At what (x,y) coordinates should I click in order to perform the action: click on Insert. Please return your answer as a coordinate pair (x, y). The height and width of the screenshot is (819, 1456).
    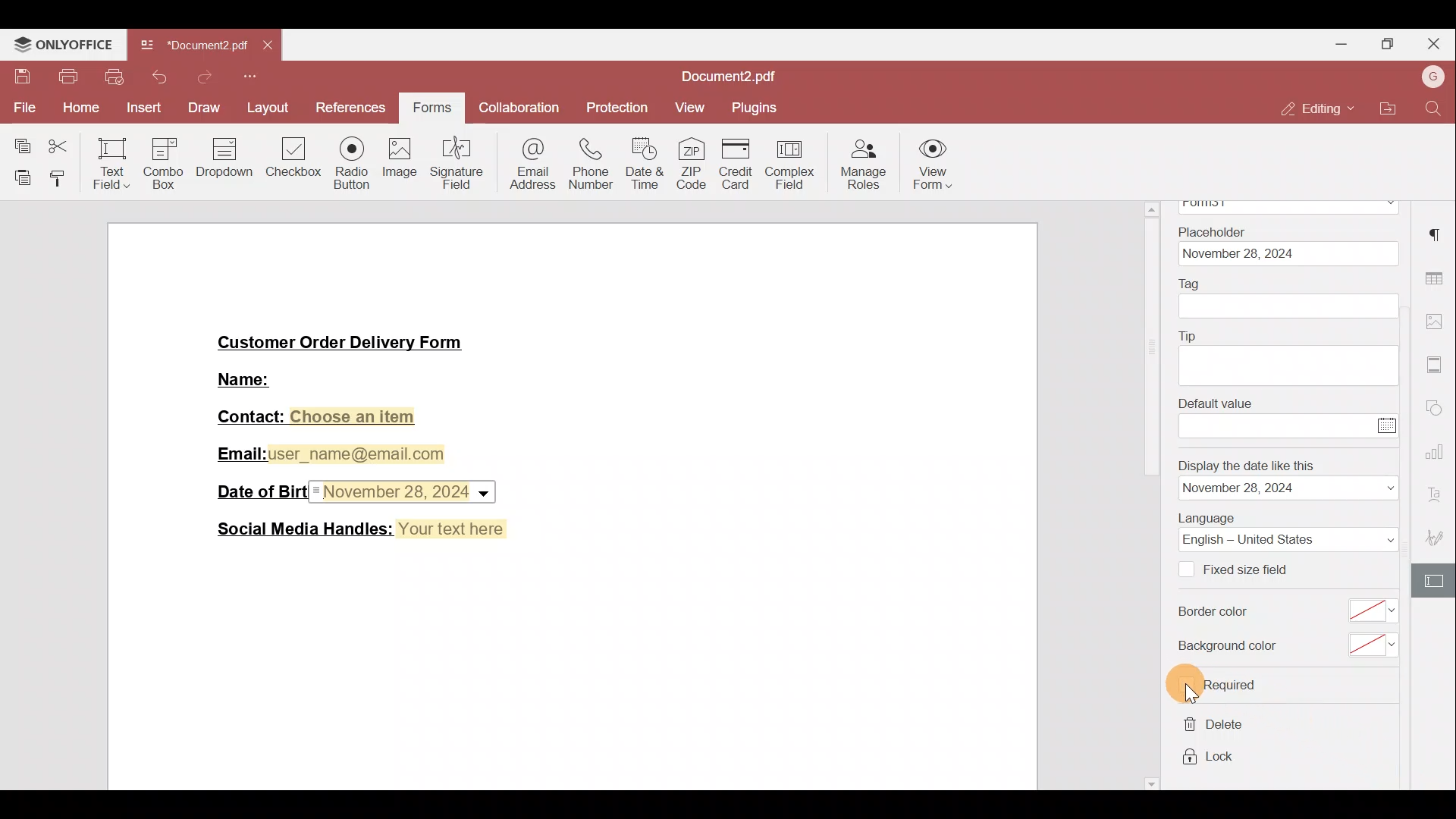
    Looking at the image, I should click on (143, 108).